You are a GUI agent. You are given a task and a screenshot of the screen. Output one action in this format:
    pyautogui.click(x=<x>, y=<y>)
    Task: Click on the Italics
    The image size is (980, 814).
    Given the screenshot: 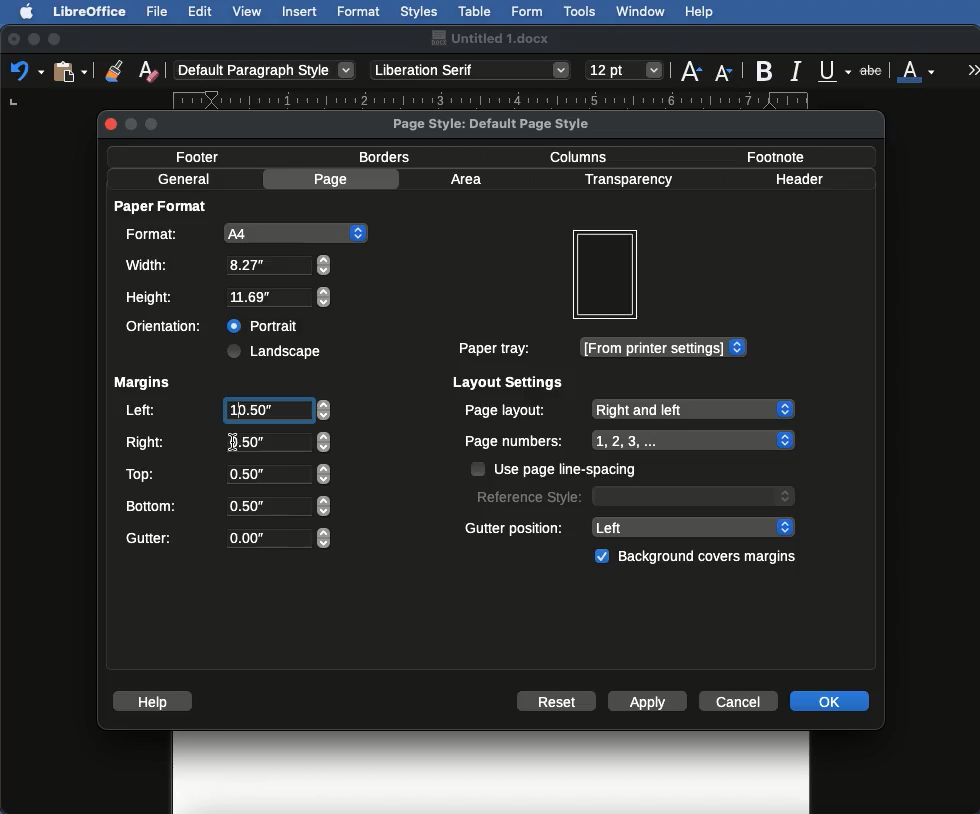 What is the action you would take?
    pyautogui.click(x=799, y=69)
    